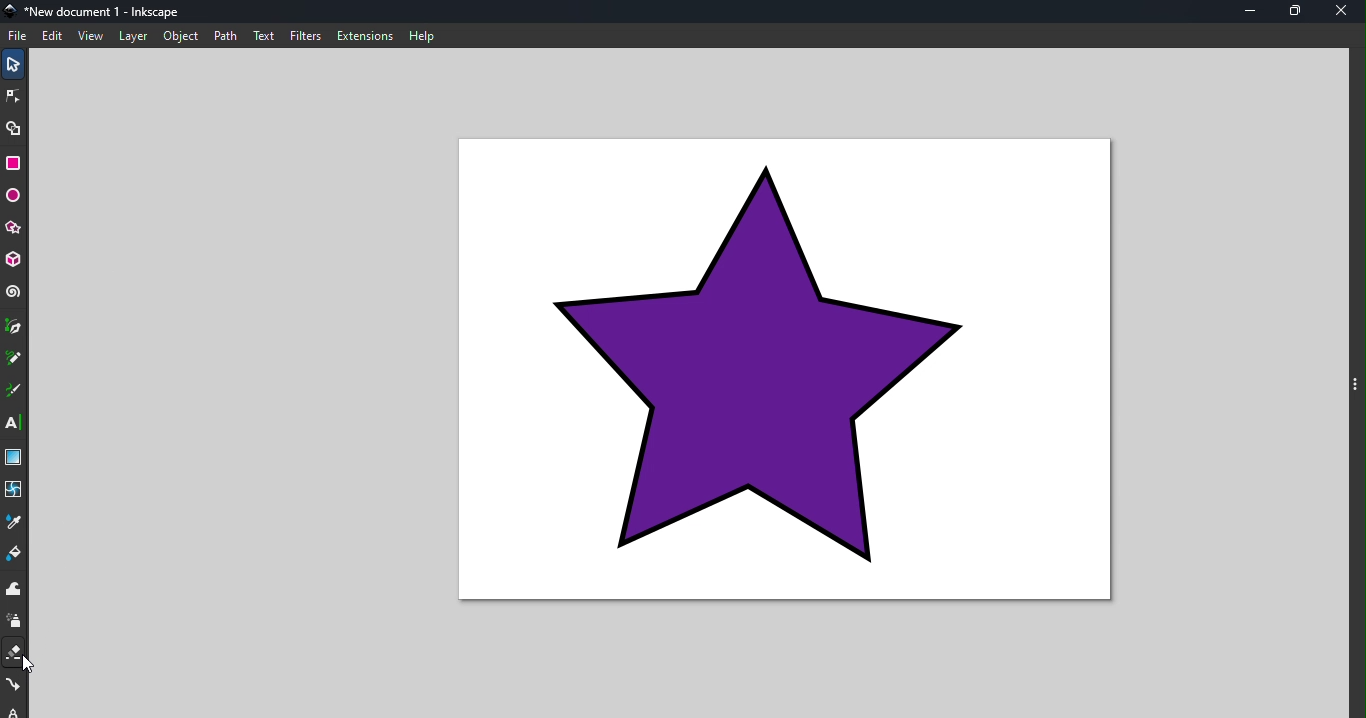 This screenshot has height=718, width=1366. Describe the element at coordinates (54, 36) in the screenshot. I see `edit` at that location.